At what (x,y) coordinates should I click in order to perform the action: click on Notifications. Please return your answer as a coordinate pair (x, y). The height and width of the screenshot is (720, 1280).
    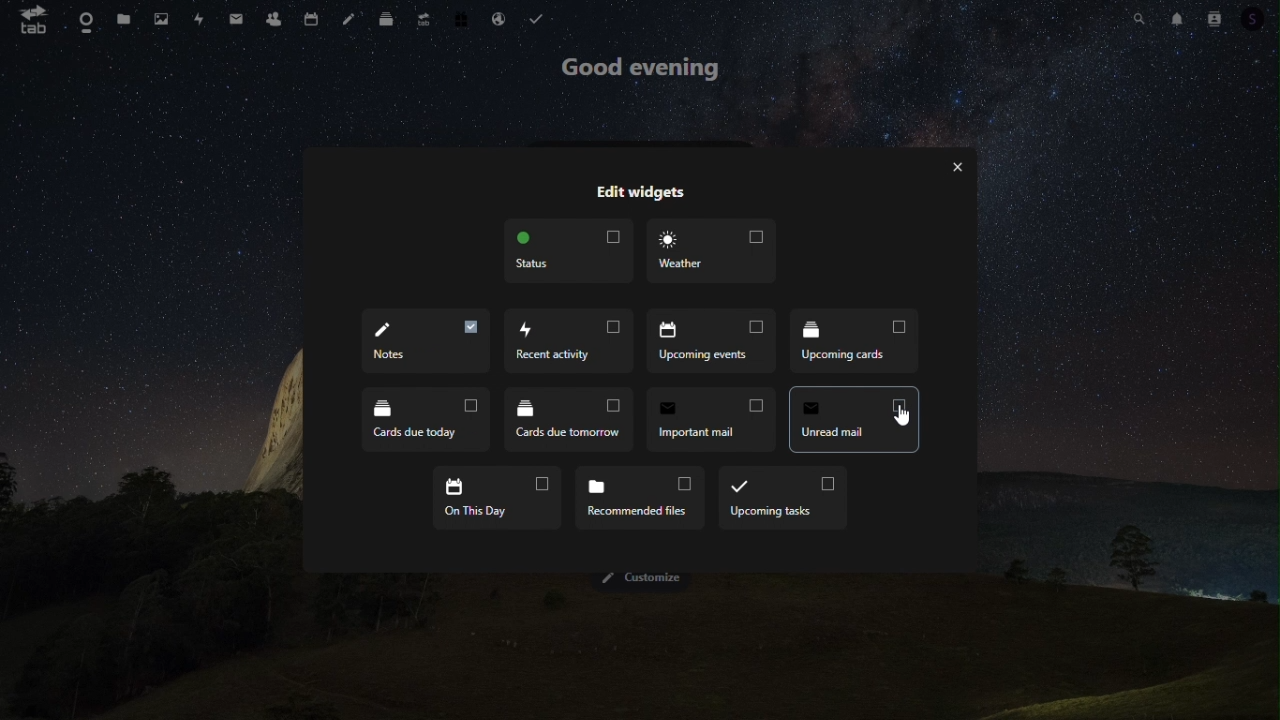
    Looking at the image, I should click on (1179, 19).